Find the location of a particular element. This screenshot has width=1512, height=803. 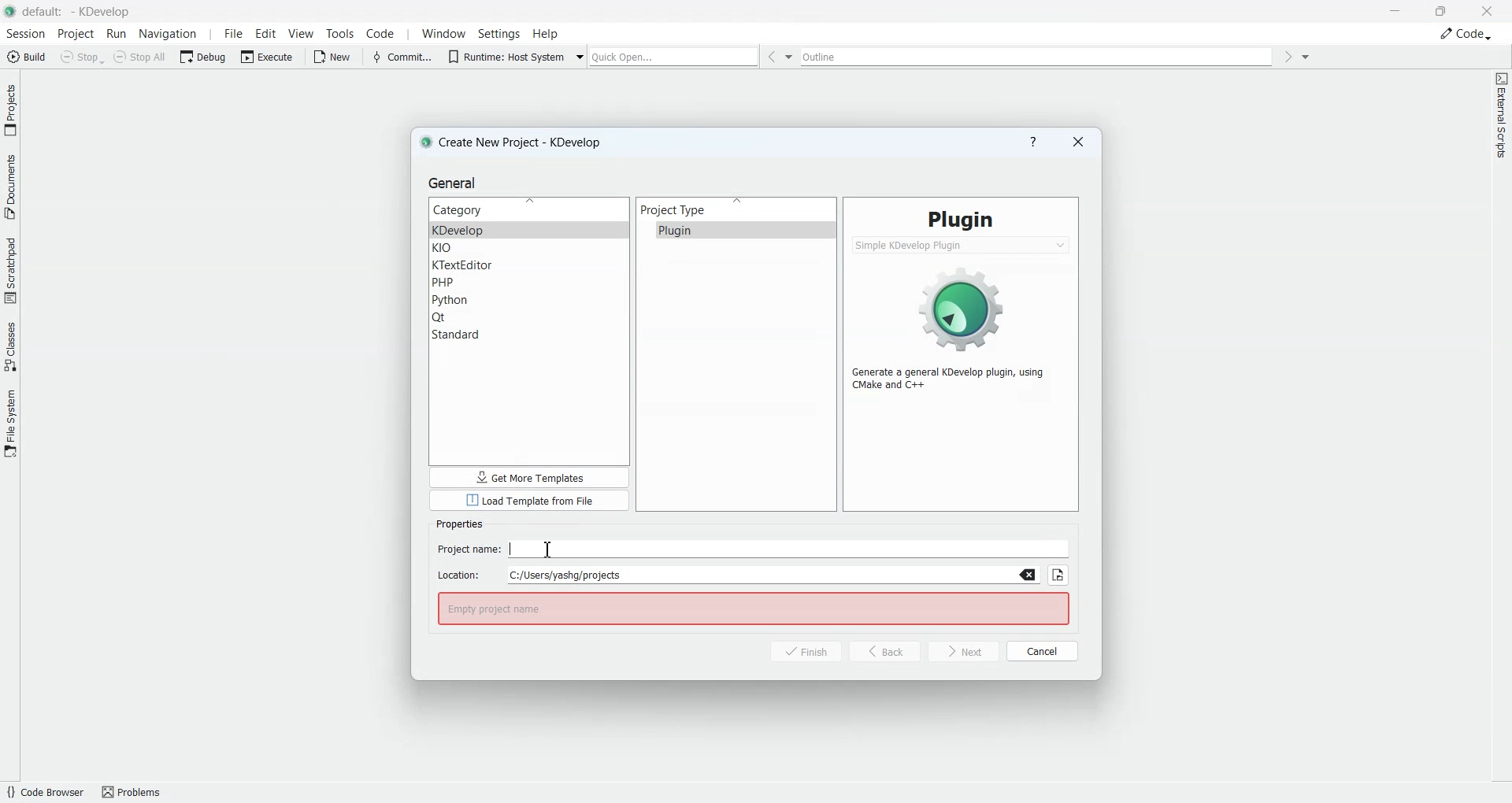

Drop down box is located at coordinates (1306, 56).